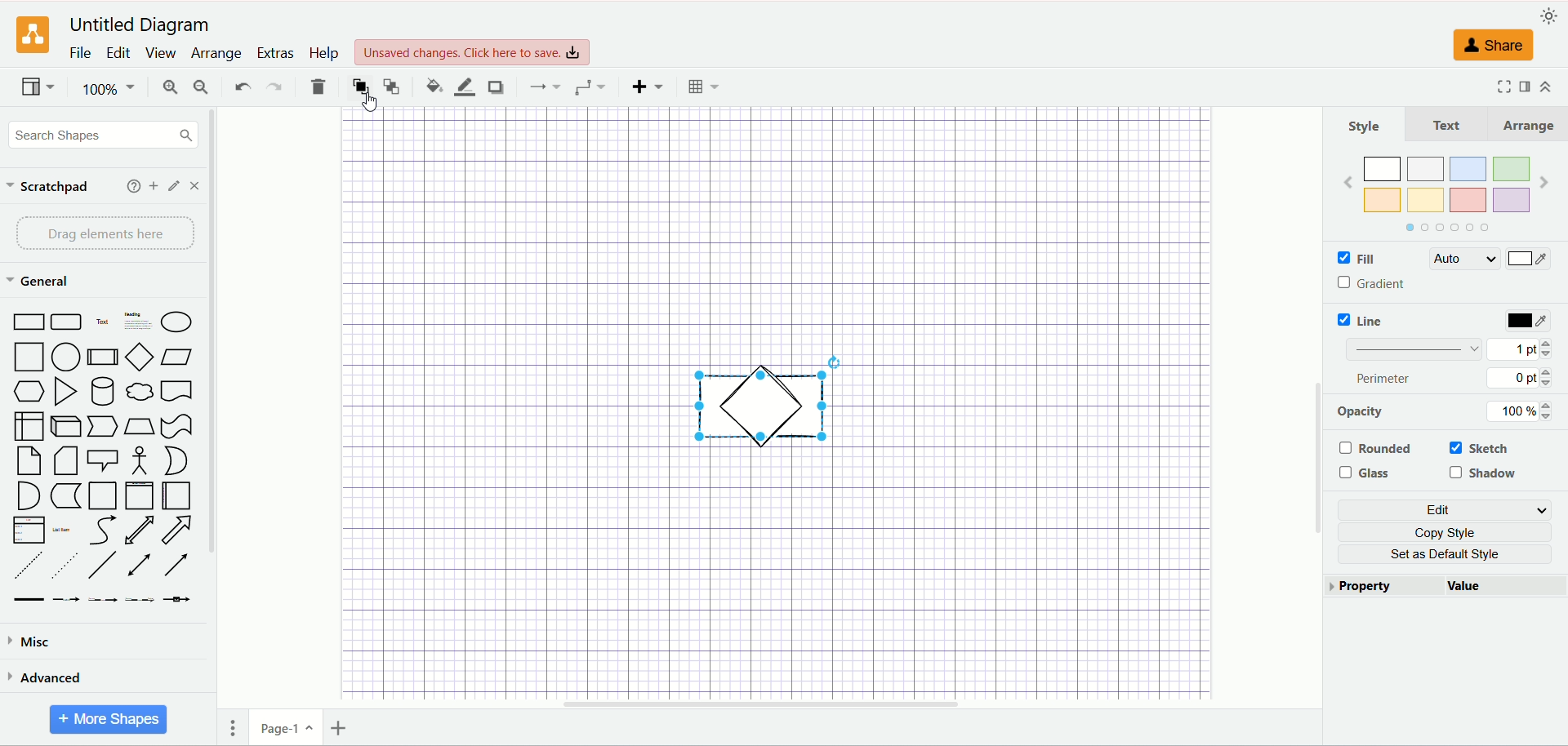  I want to click on connection, so click(590, 88).